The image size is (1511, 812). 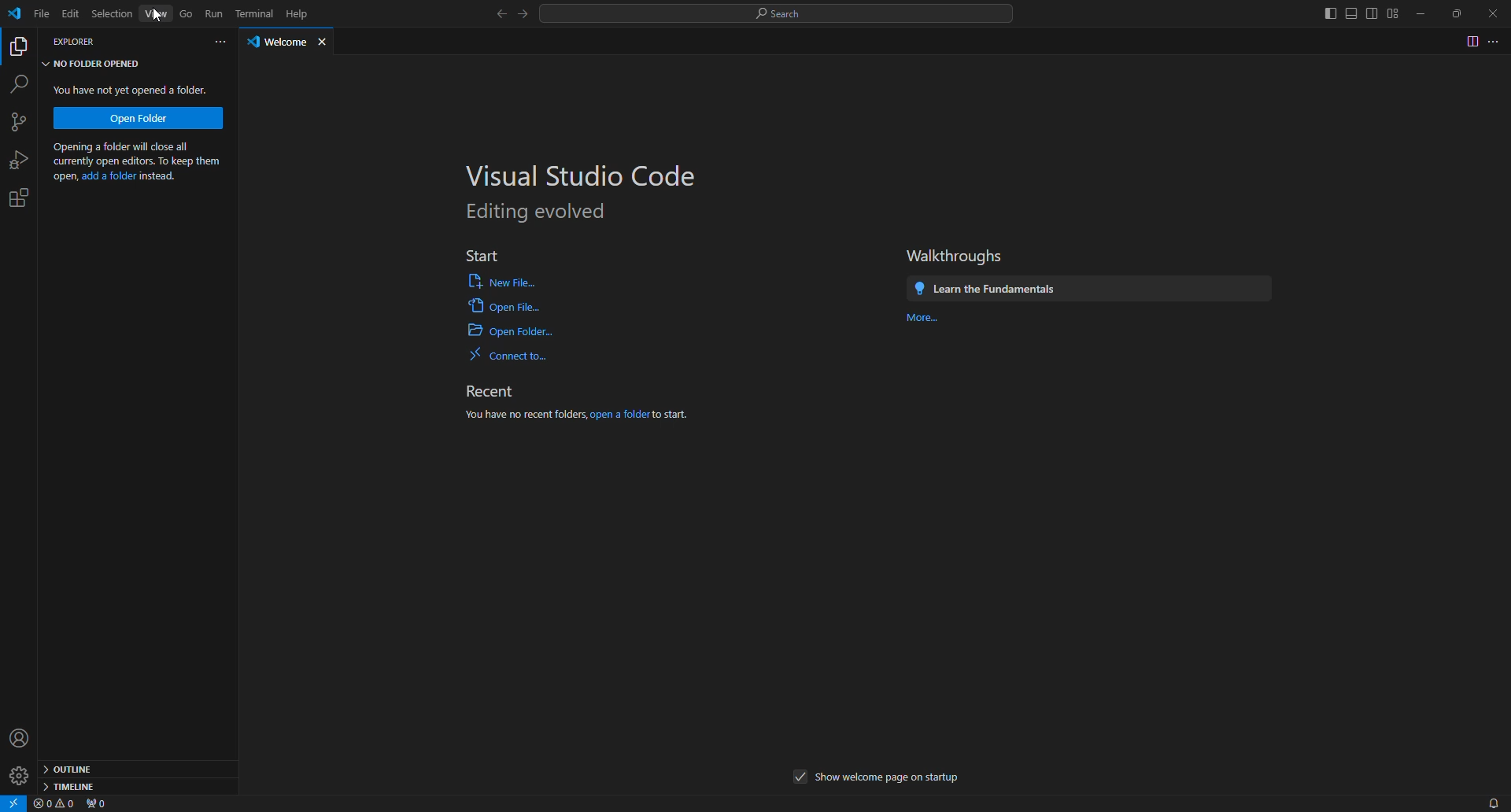 What do you see at coordinates (53, 804) in the screenshot?
I see `warnings` at bounding box center [53, 804].